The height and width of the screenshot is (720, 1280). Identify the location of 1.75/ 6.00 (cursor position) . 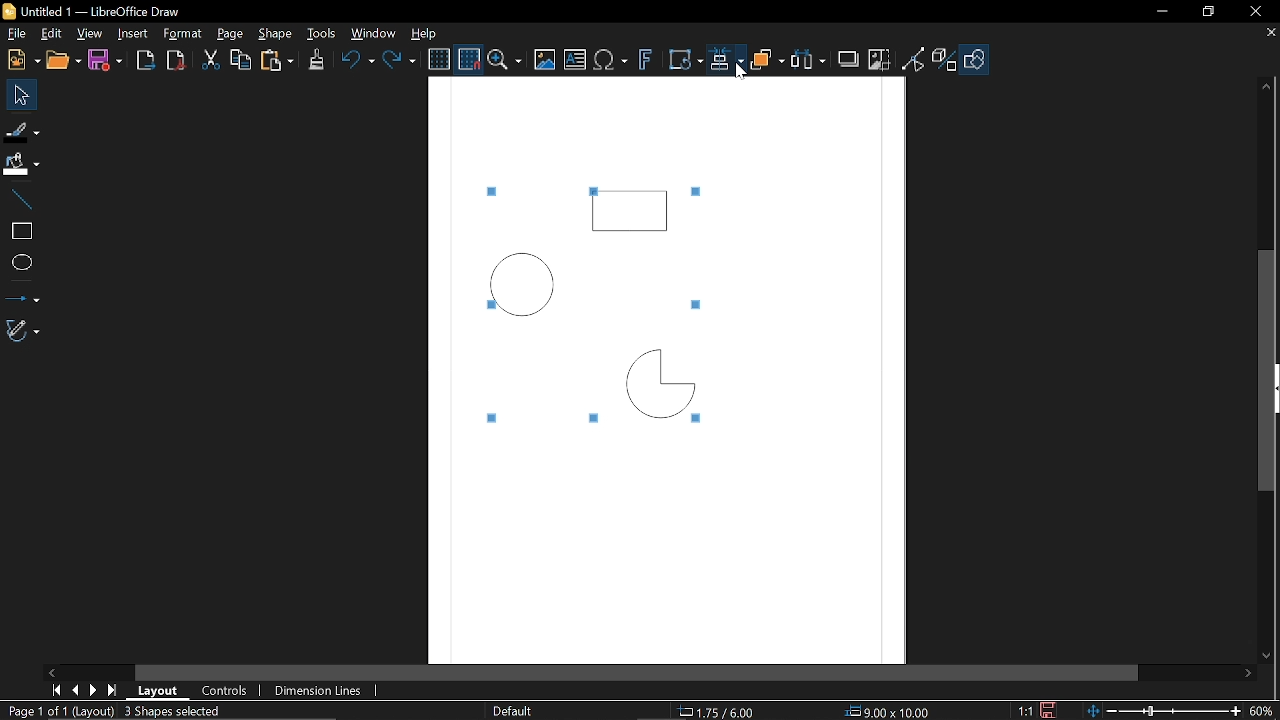
(717, 711).